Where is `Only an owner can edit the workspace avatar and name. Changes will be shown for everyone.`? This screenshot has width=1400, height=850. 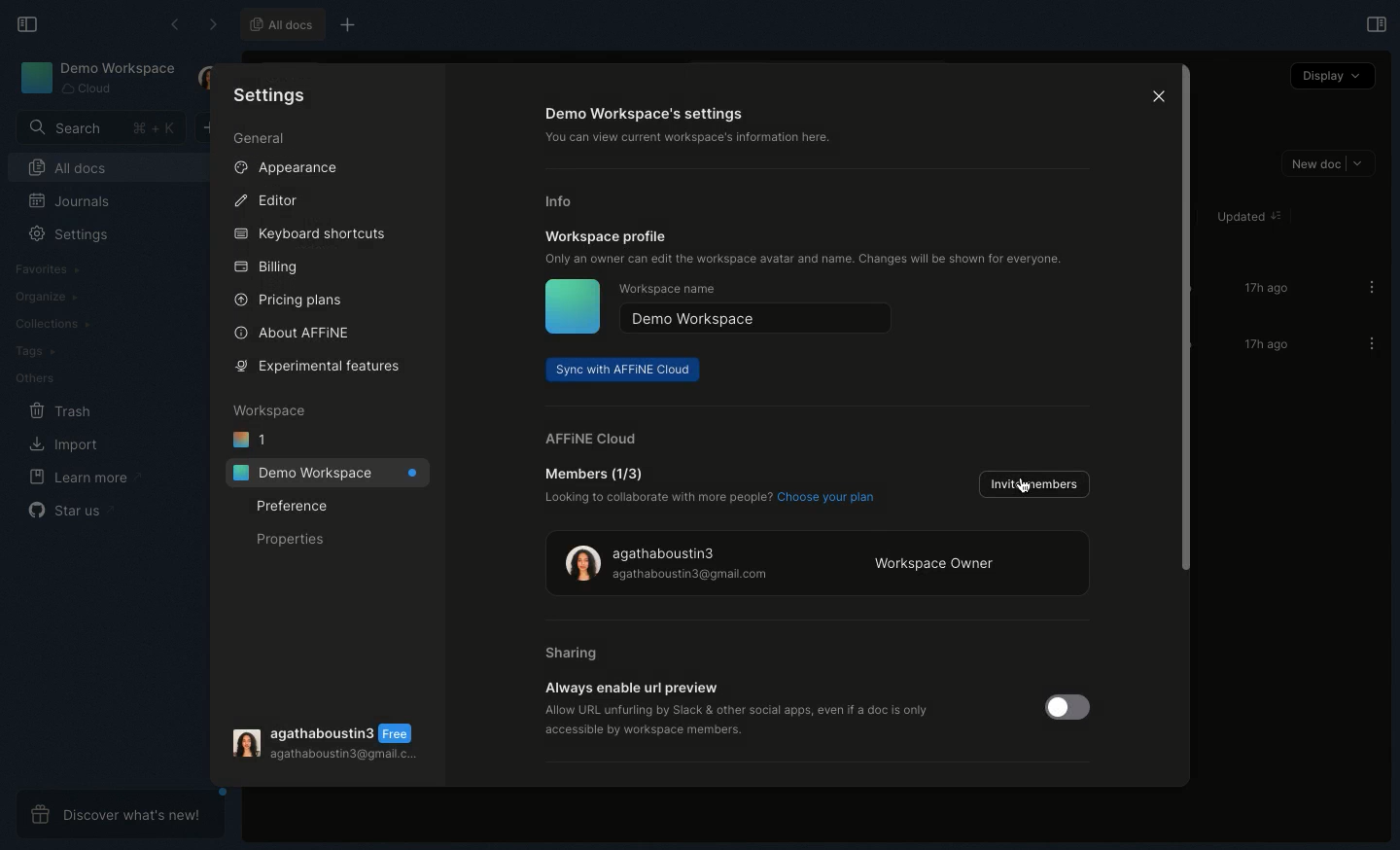
Only an owner can edit the workspace avatar and name. Changes will be shown for everyone. is located at coordinates (814, 259).